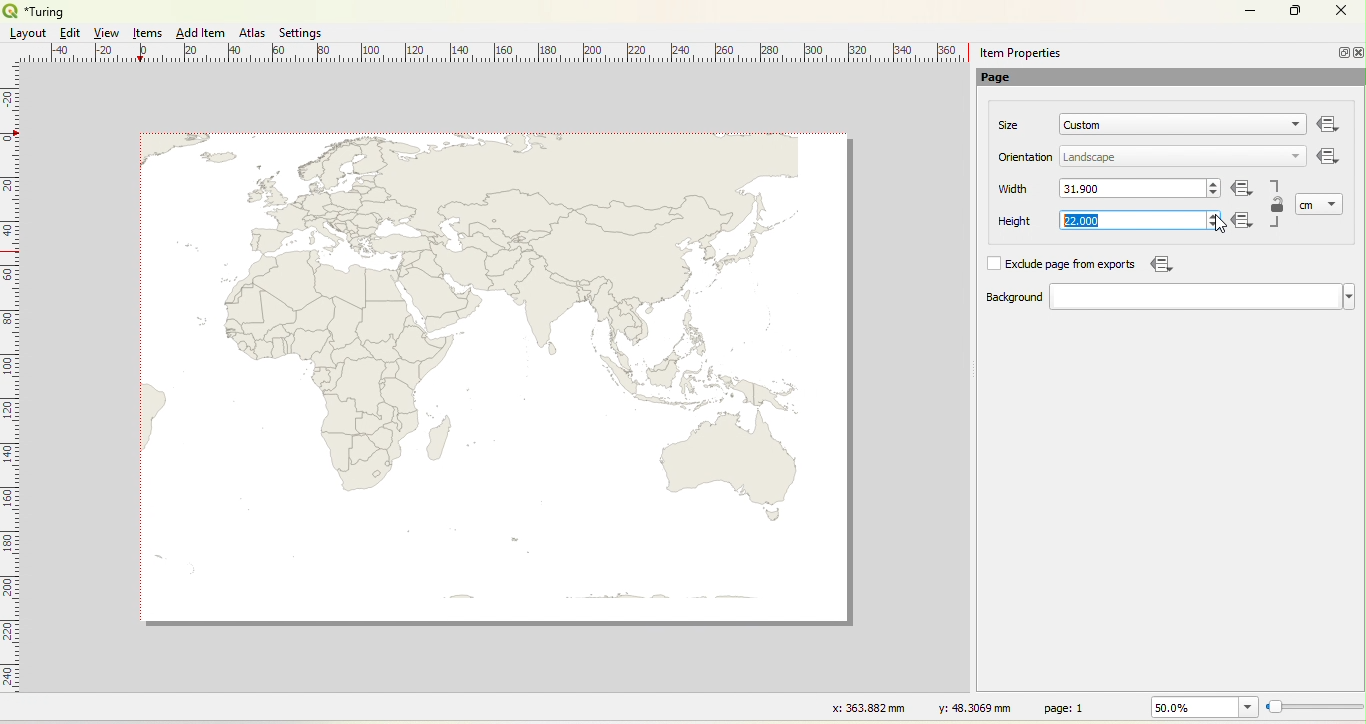  I want to click on Resize, so click(1315, 708).